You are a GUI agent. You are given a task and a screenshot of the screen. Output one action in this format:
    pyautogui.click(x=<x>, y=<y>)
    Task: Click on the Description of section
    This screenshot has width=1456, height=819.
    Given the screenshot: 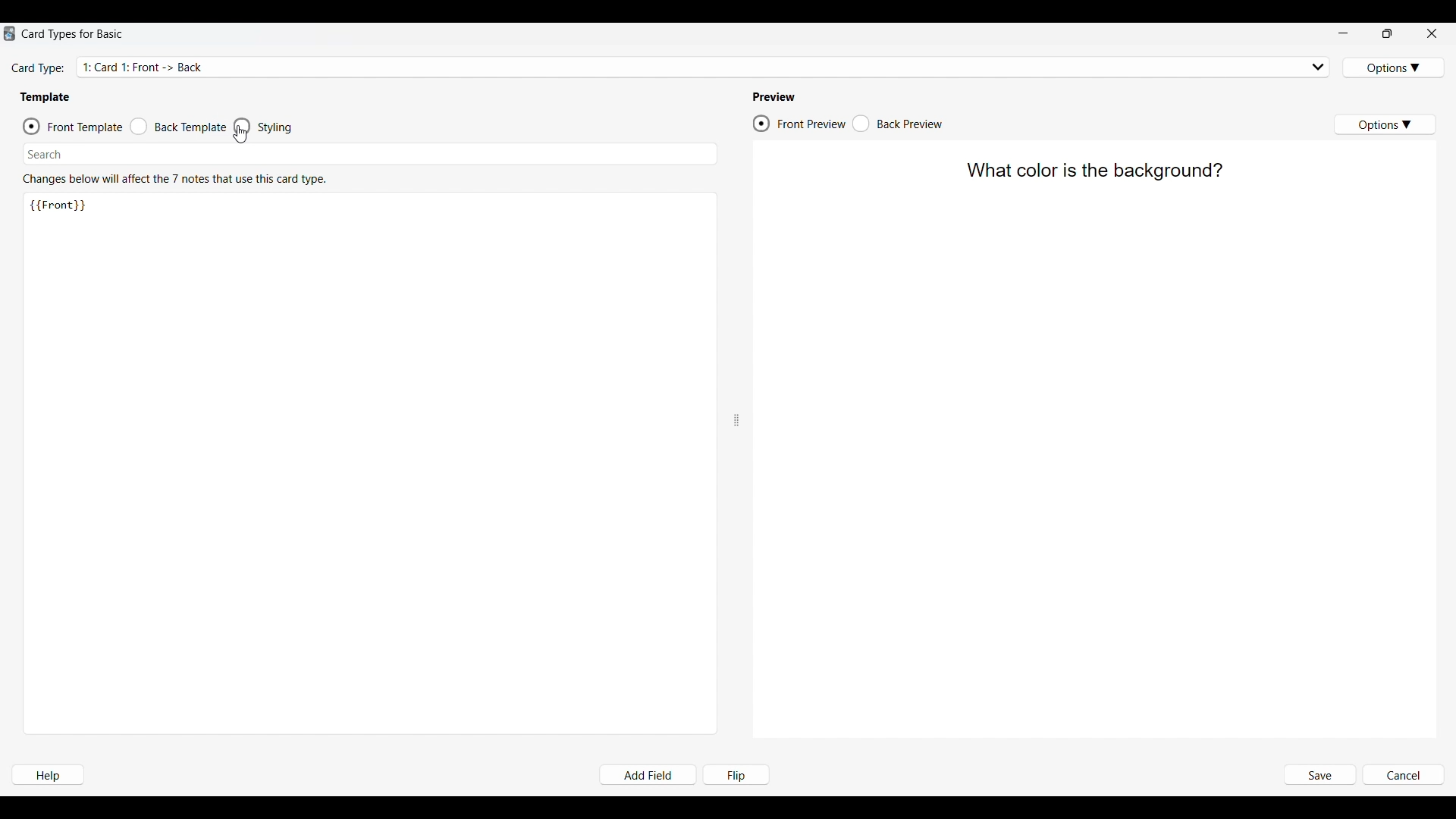 What is the action you would take?
    pyautogui.click(x=174, y=179)
    